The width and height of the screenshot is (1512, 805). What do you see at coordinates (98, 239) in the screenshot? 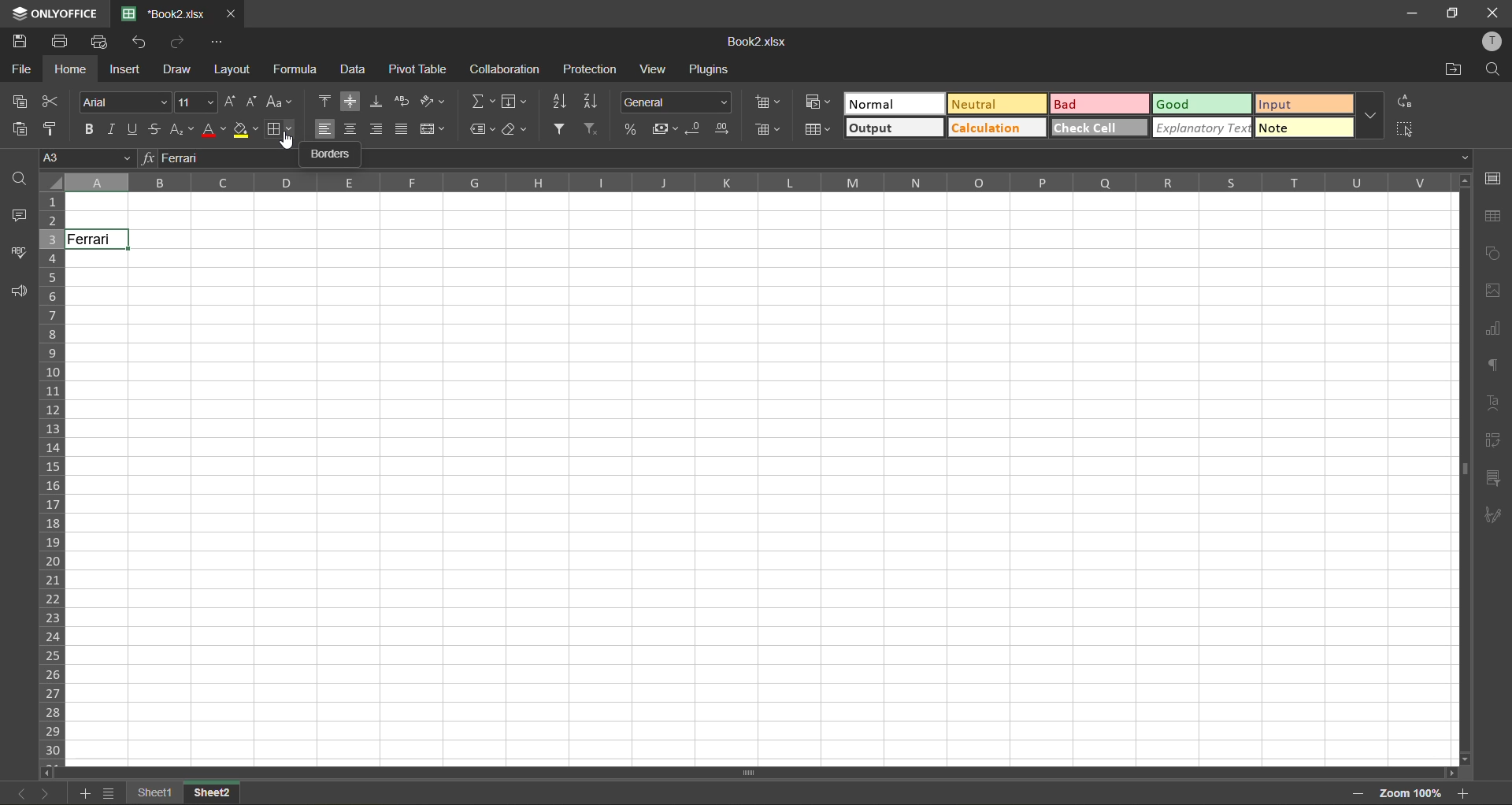
I see `Ferrari` at bounding box center [98, 239].